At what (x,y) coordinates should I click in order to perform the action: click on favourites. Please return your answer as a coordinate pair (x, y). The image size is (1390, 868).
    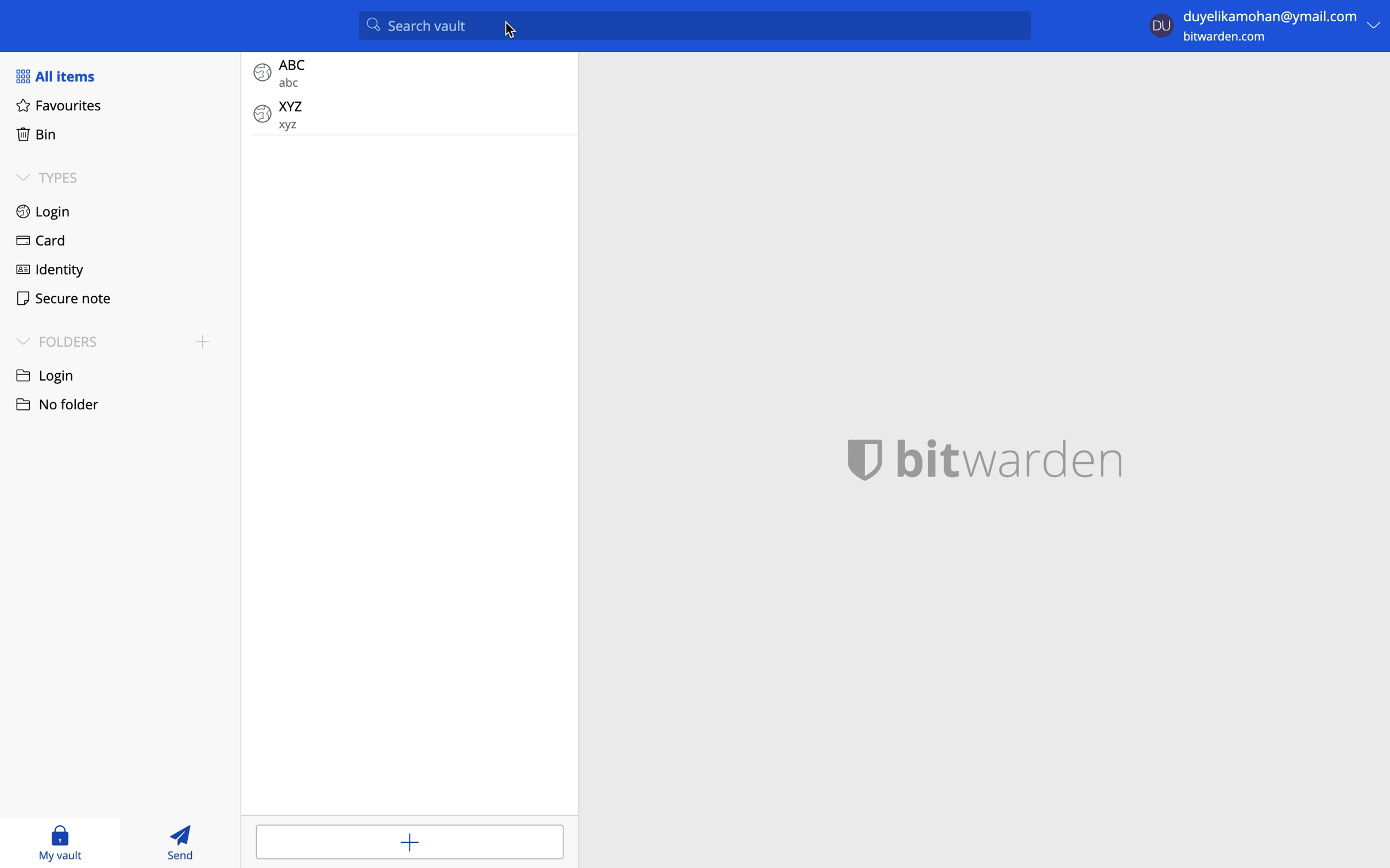
    Looking at the image, I should click on (60, 107).